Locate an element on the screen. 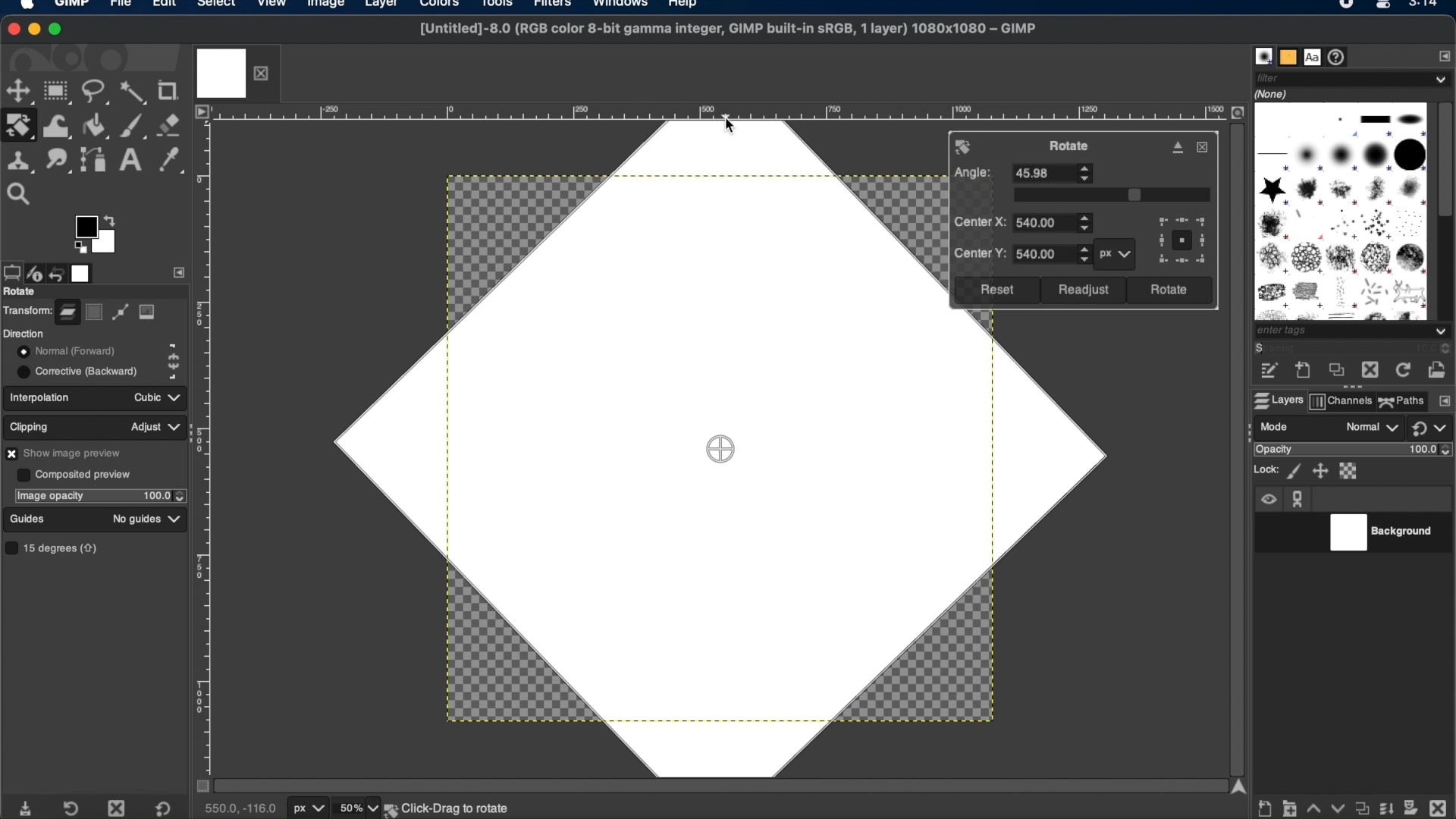 This screenshot has width=1456, height=819. brushes is located at coordinates (1263, 56).